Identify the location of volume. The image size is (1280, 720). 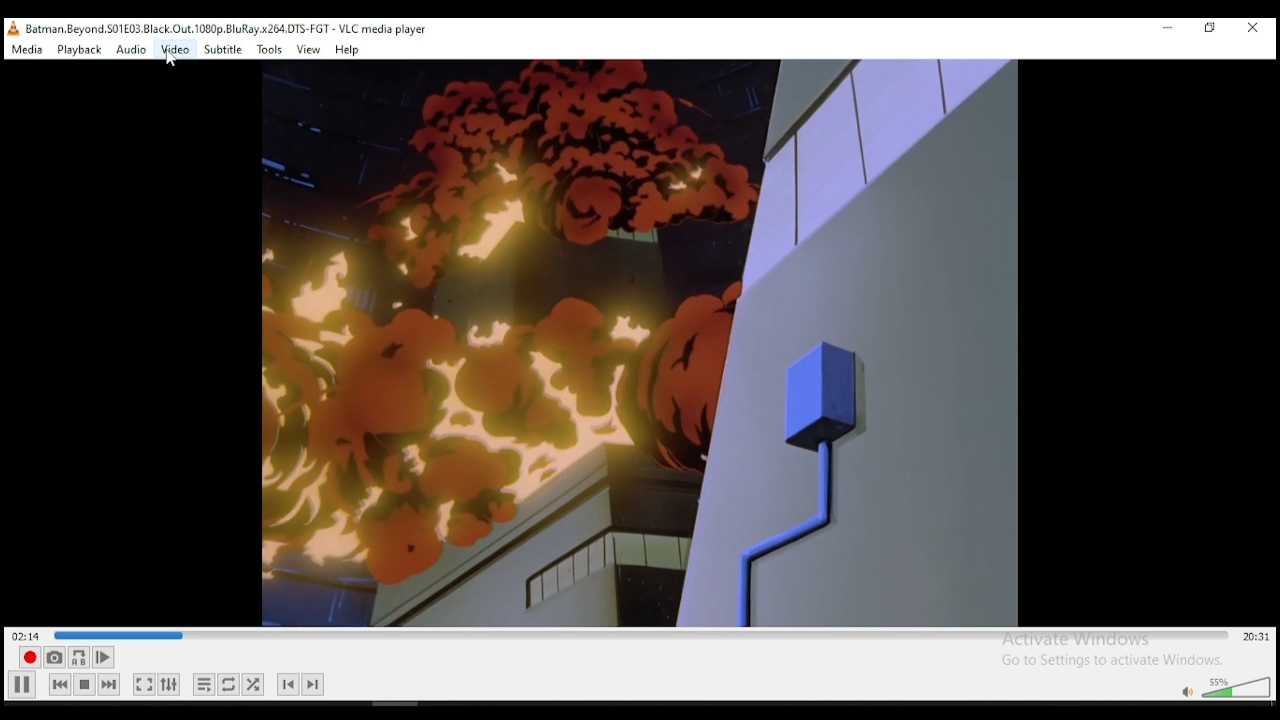
(1236, 686).